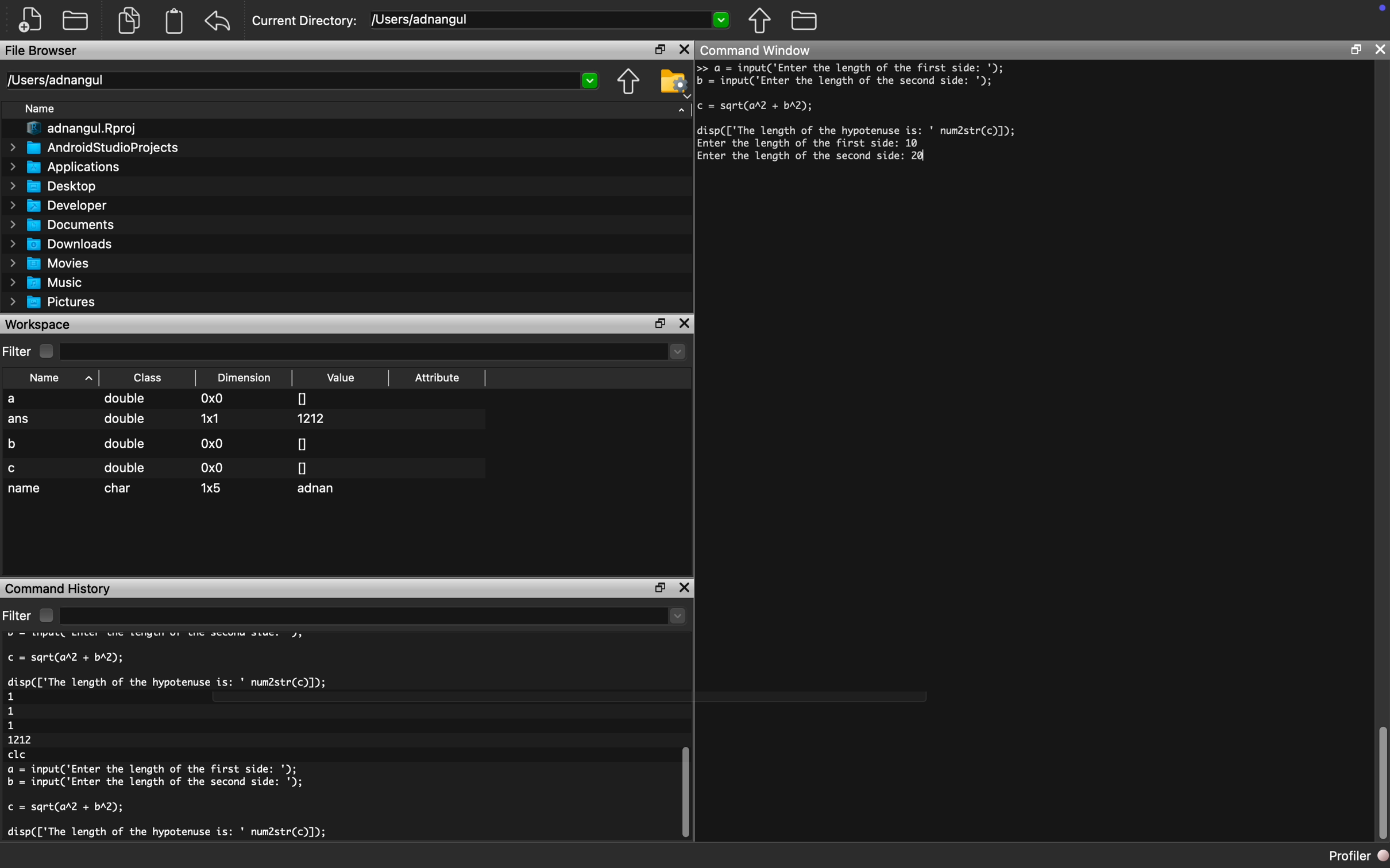 This screenshot has width=1390, height=868. I want to click on Value, so click(343, 378).